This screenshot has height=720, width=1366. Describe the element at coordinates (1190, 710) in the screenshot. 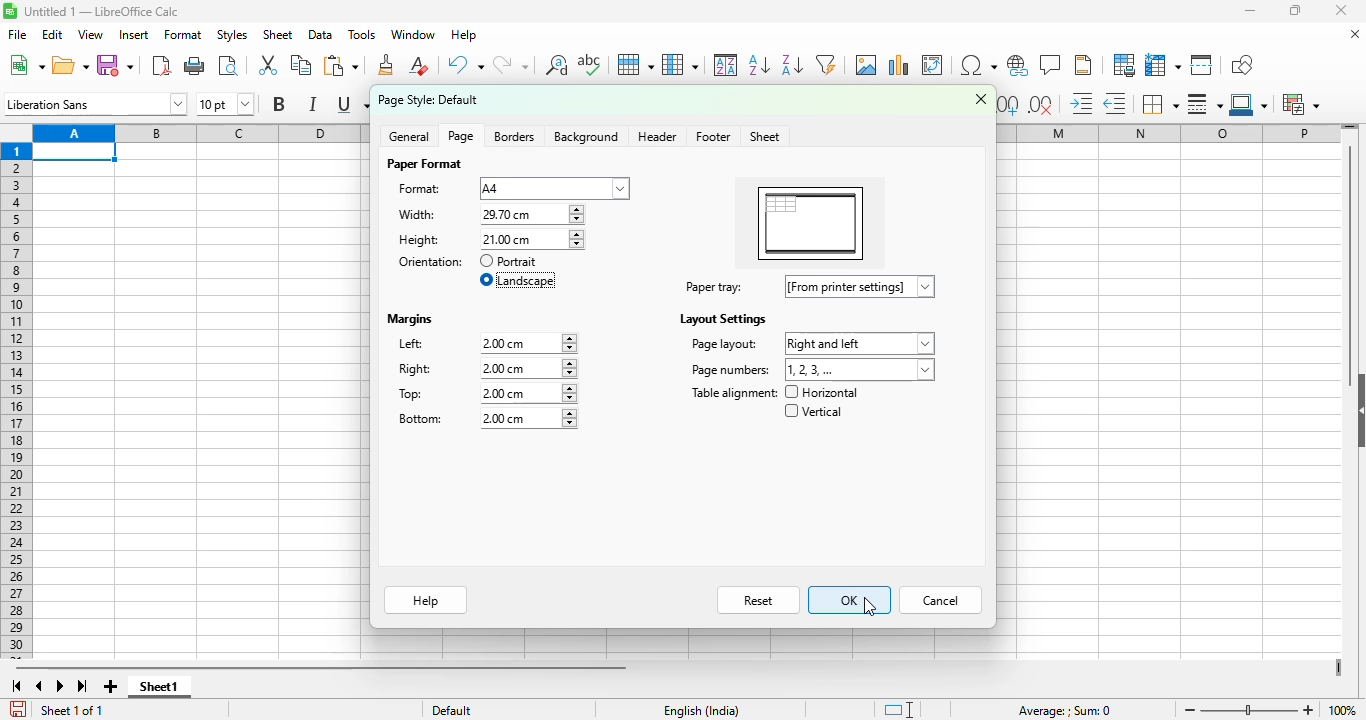

I see `zoom out` at that location.